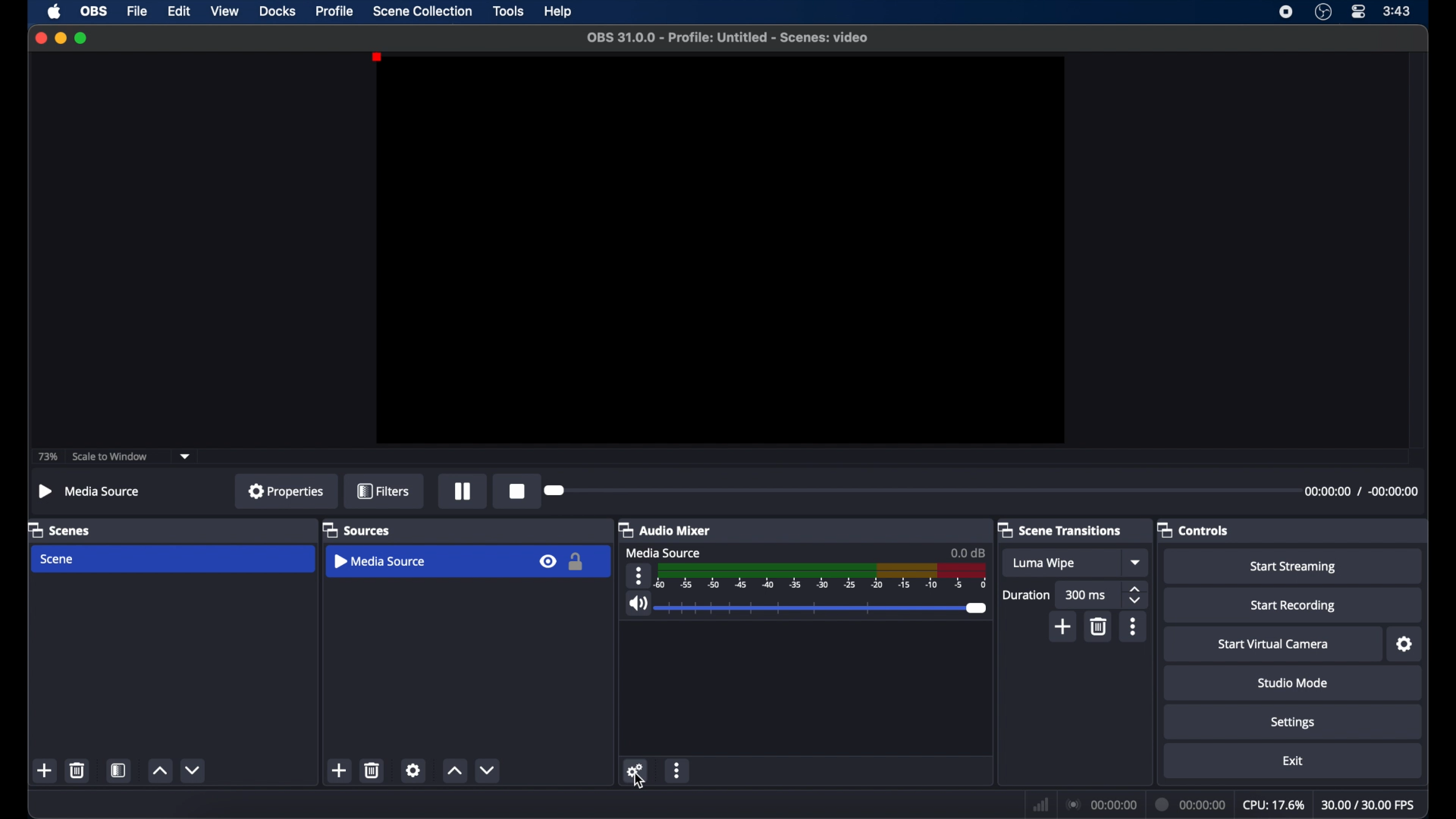 The height and width of the screenshot is (819, 1456). I want to click on settings, so click(1404, 644).